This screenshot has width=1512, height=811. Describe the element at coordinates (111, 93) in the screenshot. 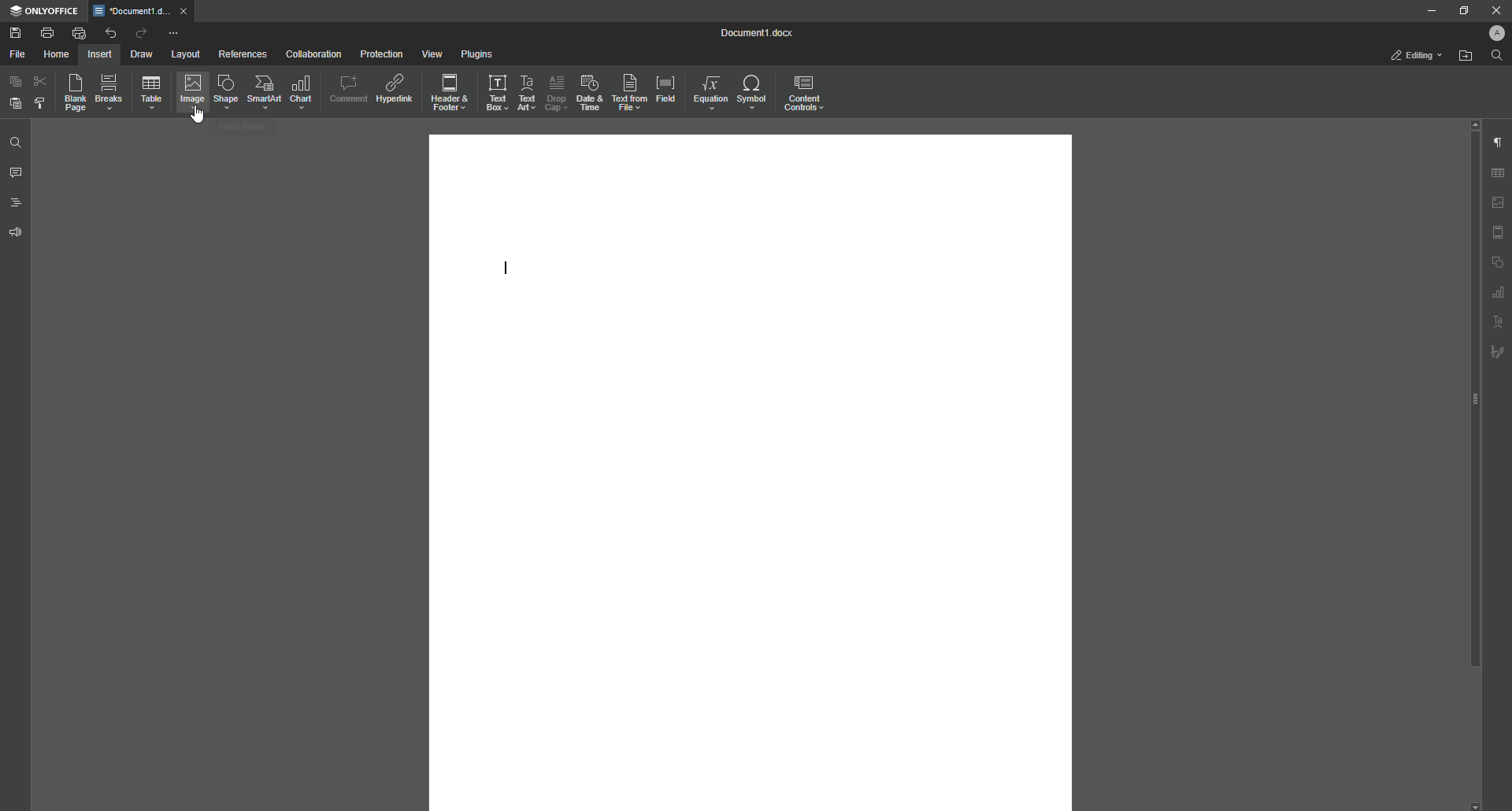

I see `Breaks` at that location.